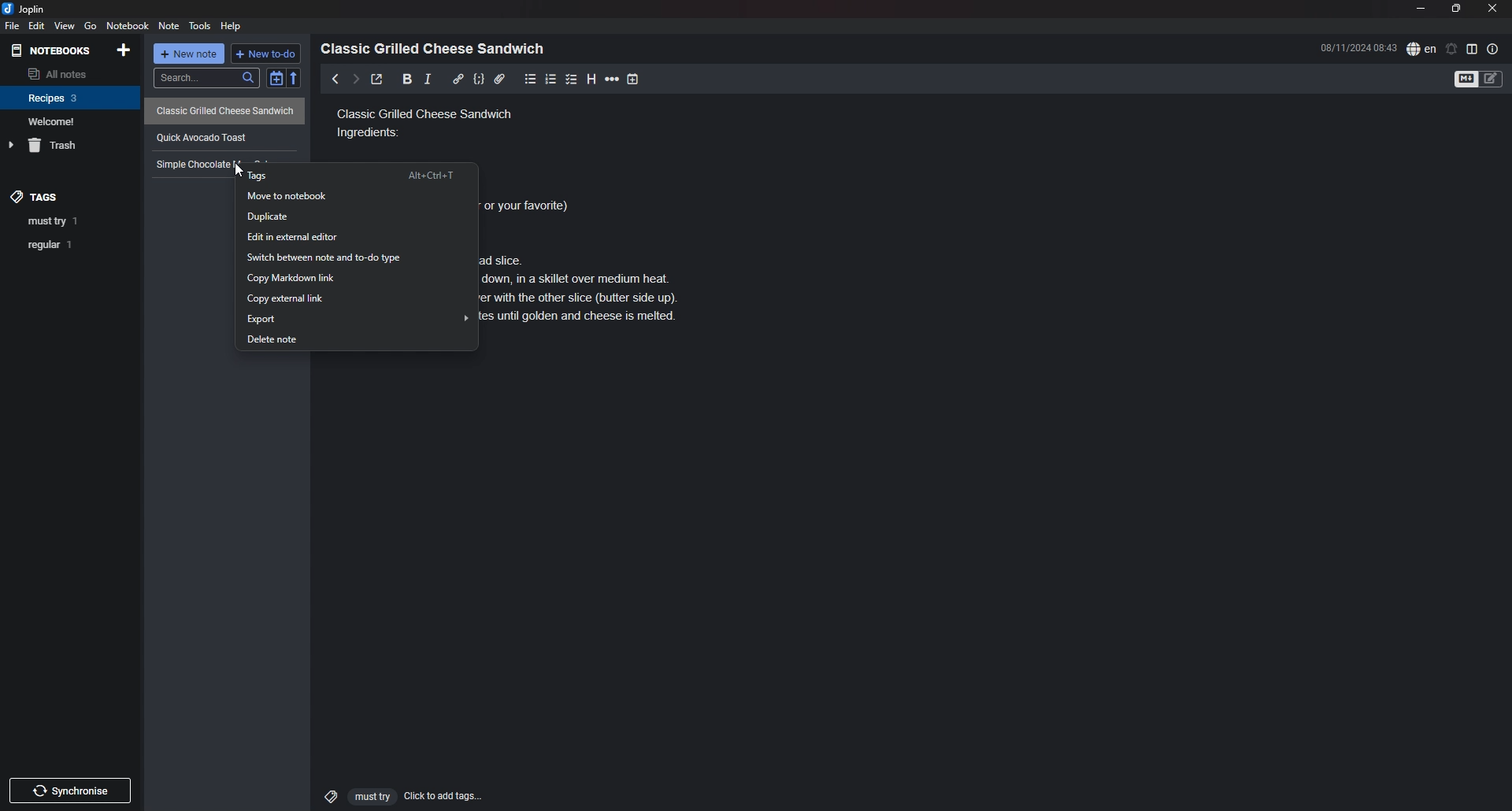 The width and height of the screenshot is (1512, 811). Describe the element at coordinates (478, 79) in the screenshot. I see `code` at that location.